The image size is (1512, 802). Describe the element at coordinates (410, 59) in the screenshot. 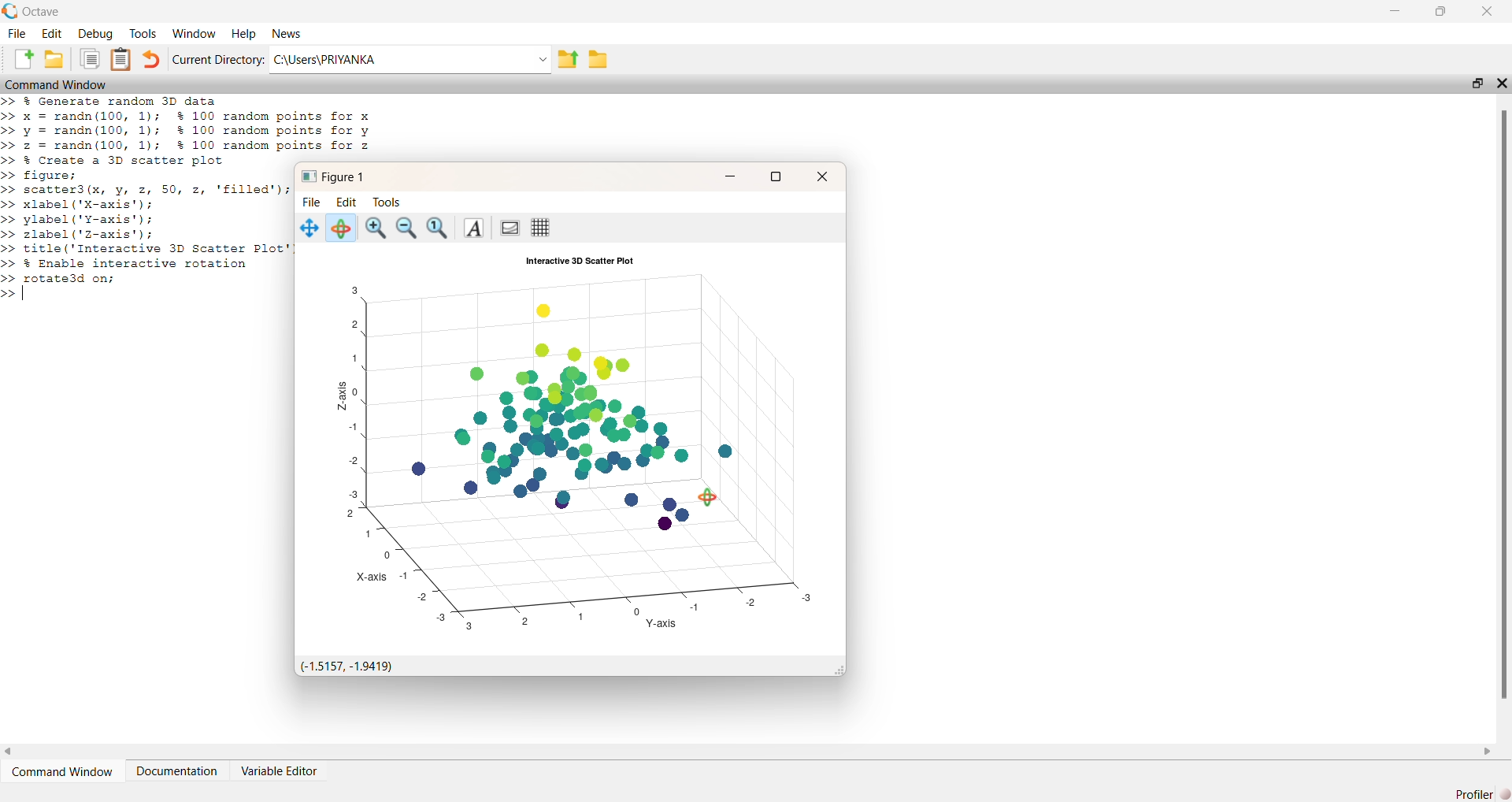

I see `C:\Users\PRIYANKA` at that location.